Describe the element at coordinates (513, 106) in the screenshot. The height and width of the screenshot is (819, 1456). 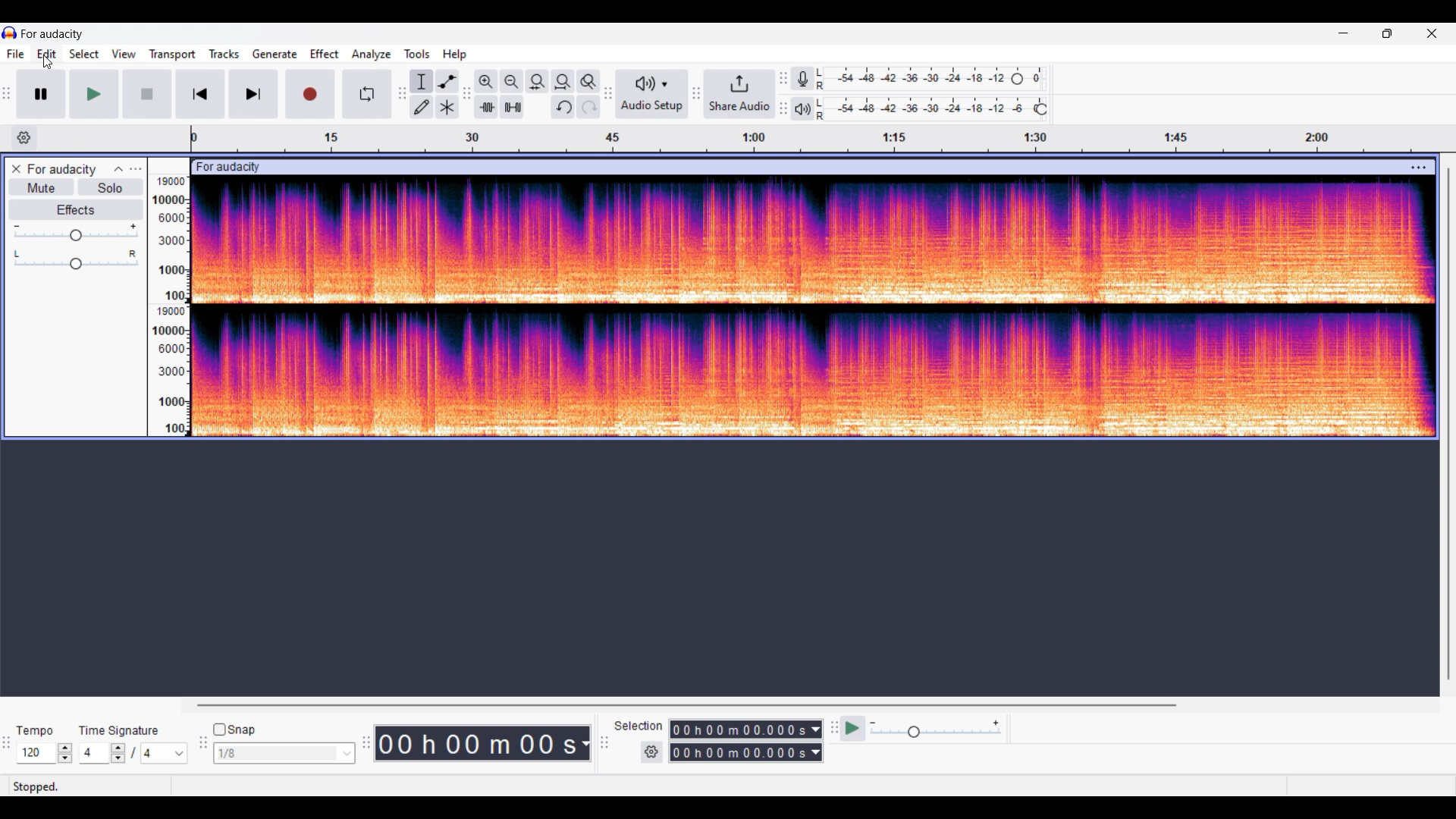
I see `Silence audio selectio` at that location.